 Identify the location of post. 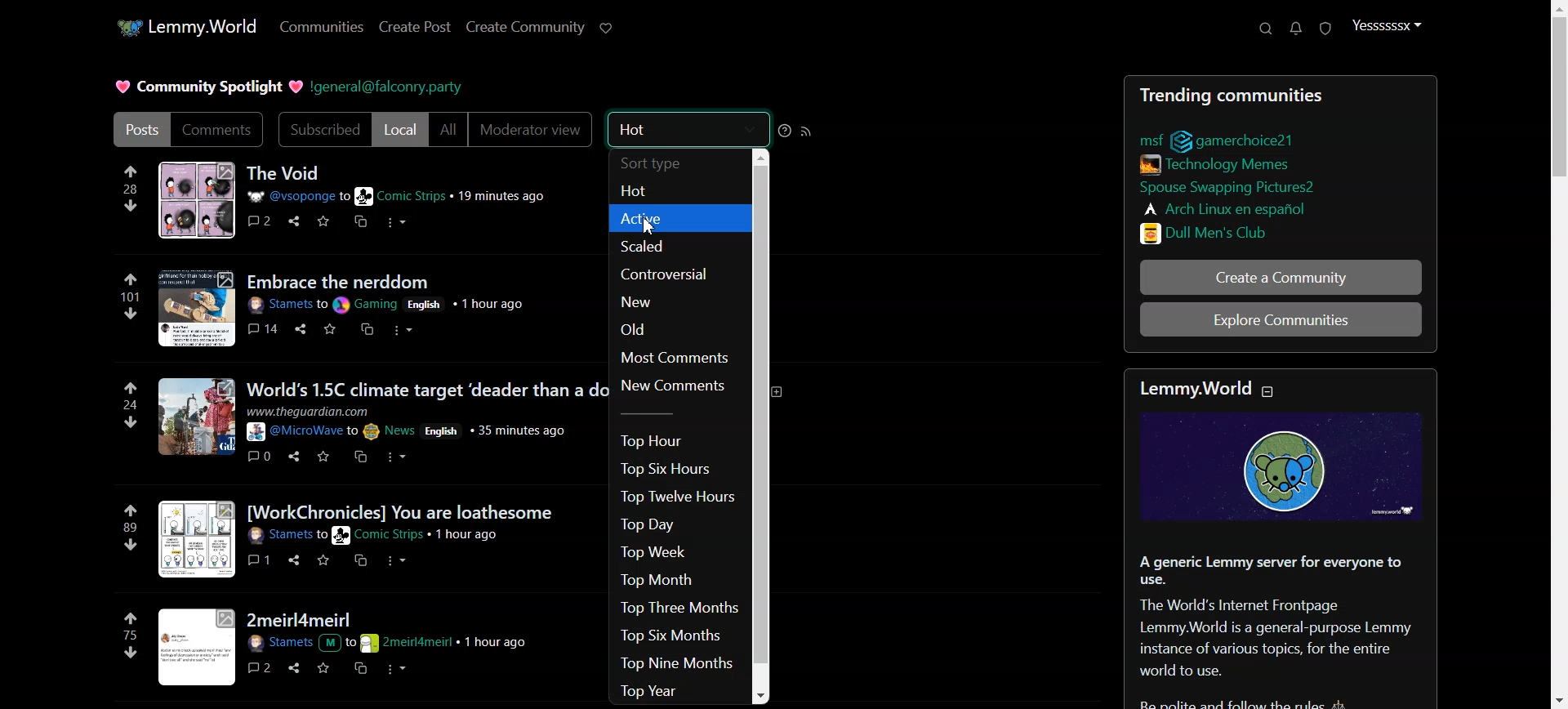
(301, 618).